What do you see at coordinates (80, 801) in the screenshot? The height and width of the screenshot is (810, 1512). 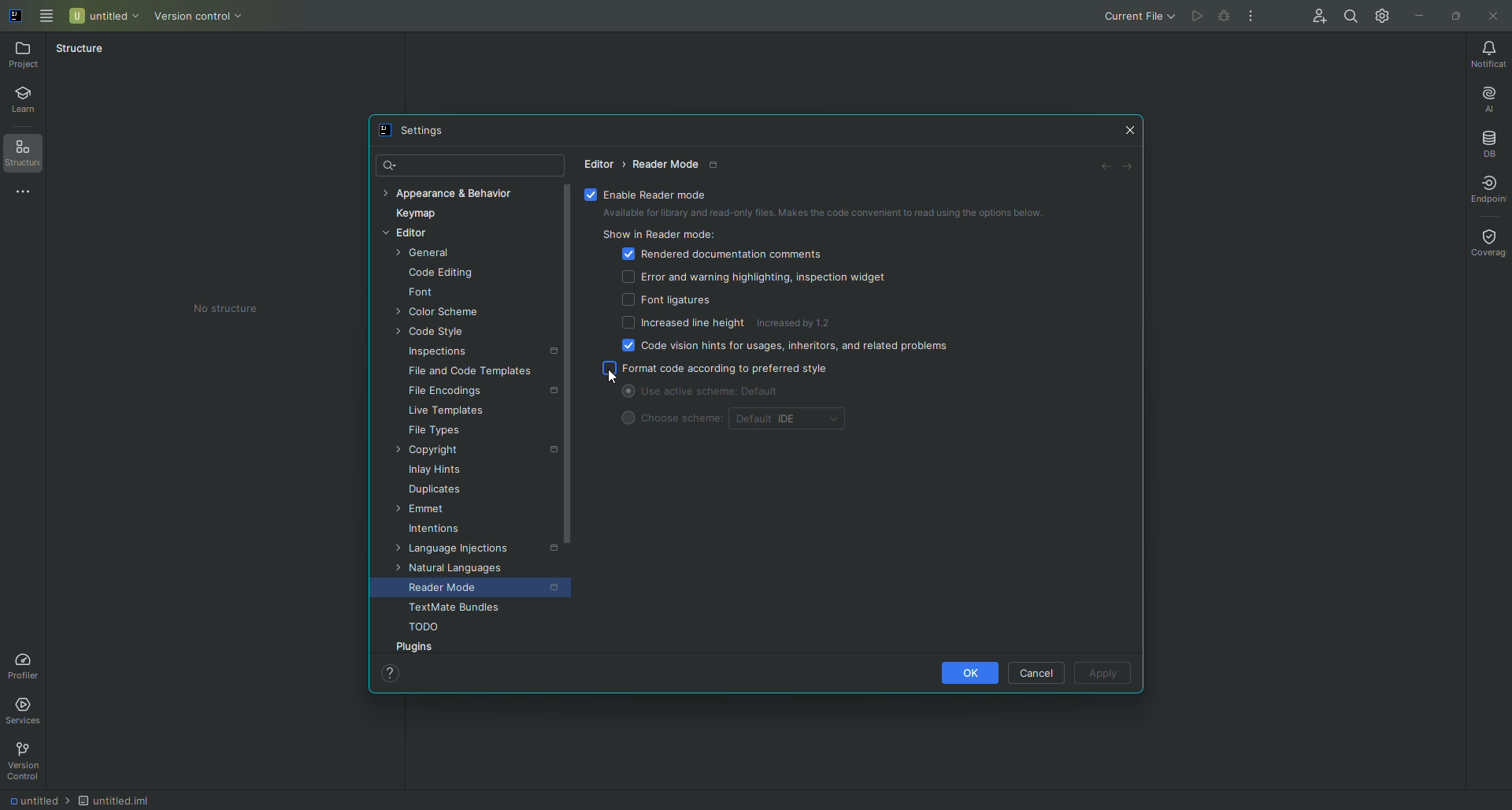 I see `file path` at bounding box center [80, 801].